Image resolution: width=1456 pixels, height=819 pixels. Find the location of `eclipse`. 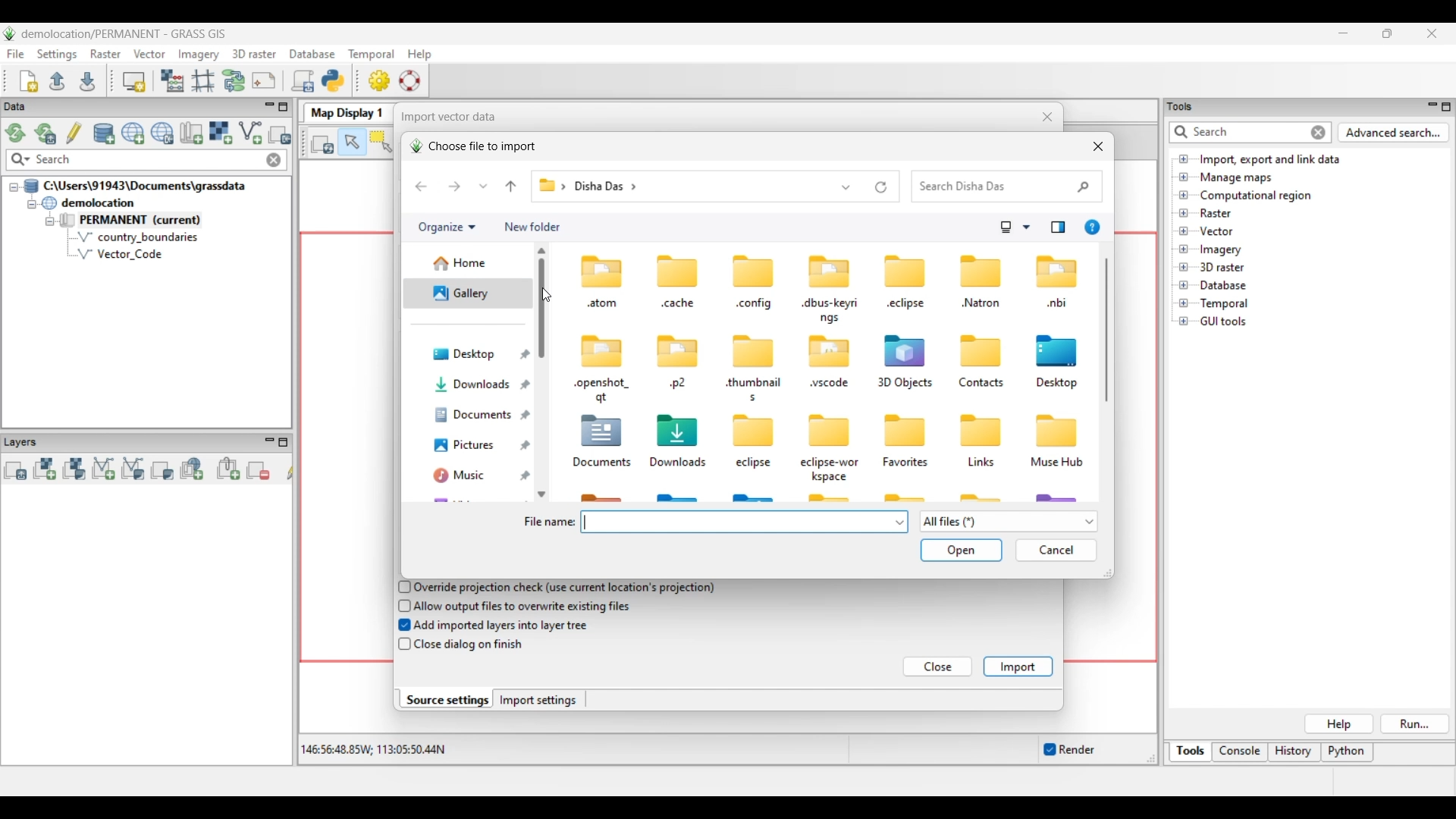

eclipse is located at coordinates (755, 464).